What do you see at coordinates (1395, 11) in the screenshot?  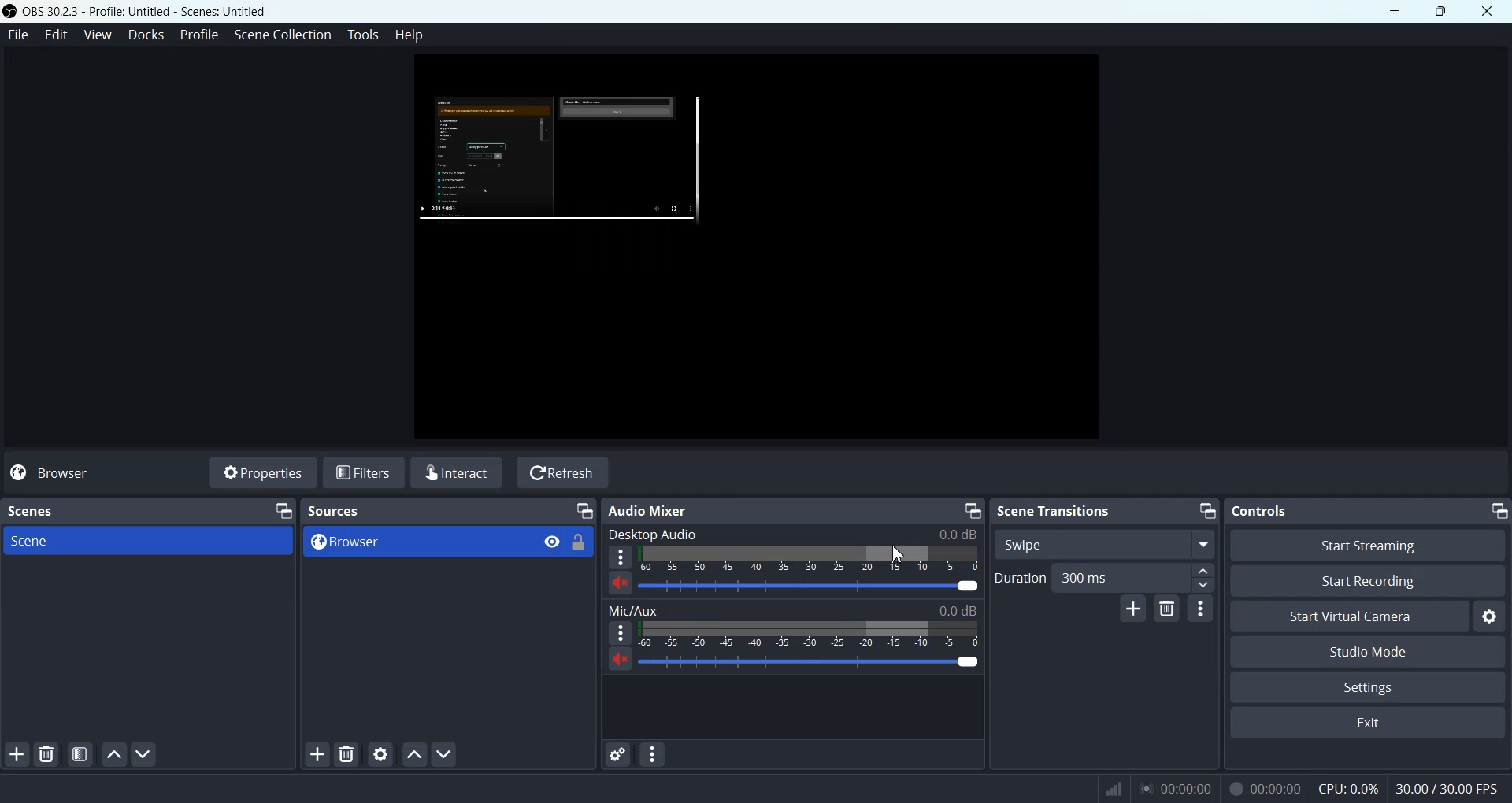 I see `Minimize` at bounding box center [1395, 11].